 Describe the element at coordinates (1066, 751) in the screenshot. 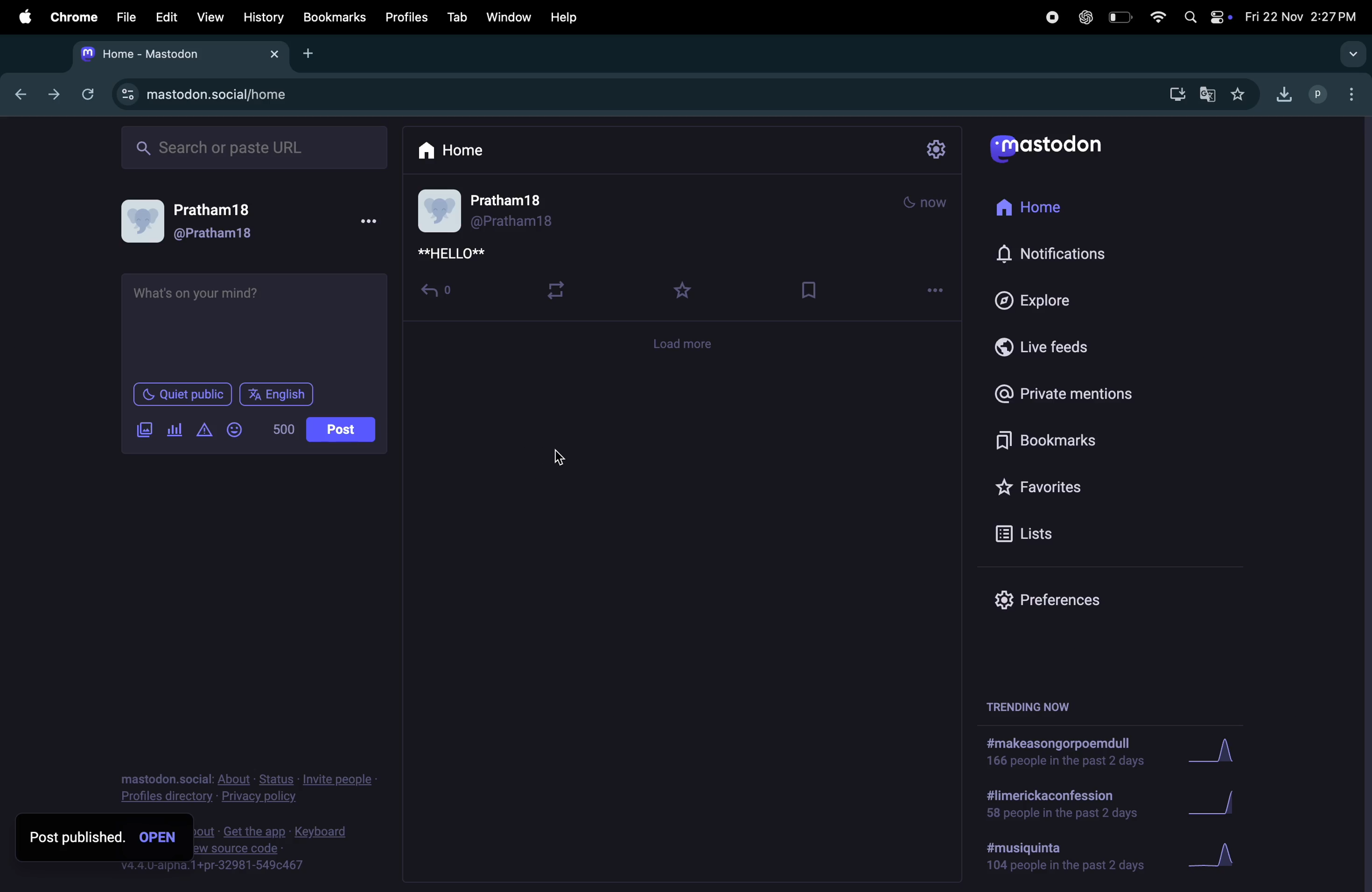

I see `hashtags` at that location.